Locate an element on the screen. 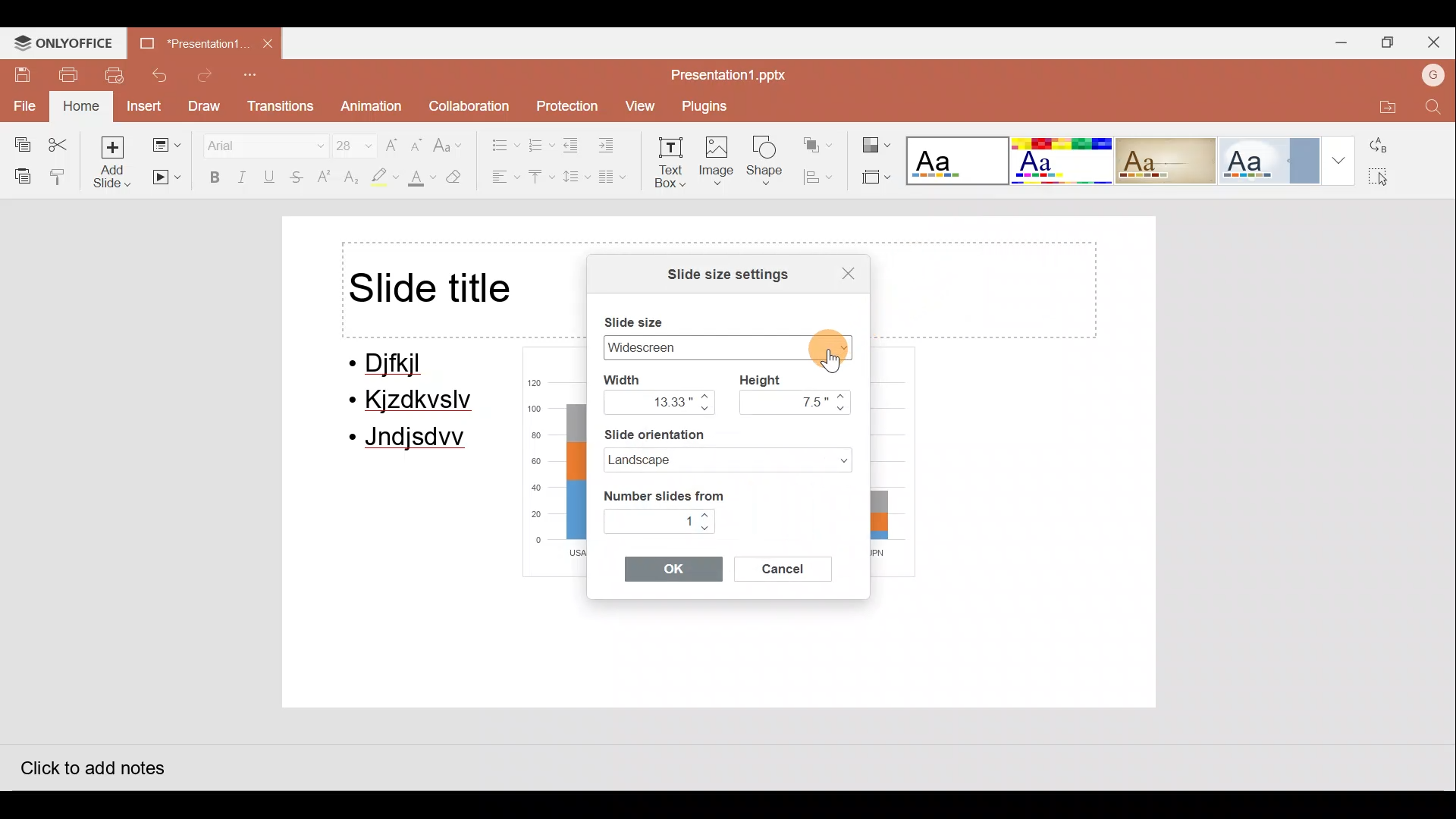 Image resolution: width=1456 pixels, height=819 pixels. Numbering is located at coordinates (541, 143).